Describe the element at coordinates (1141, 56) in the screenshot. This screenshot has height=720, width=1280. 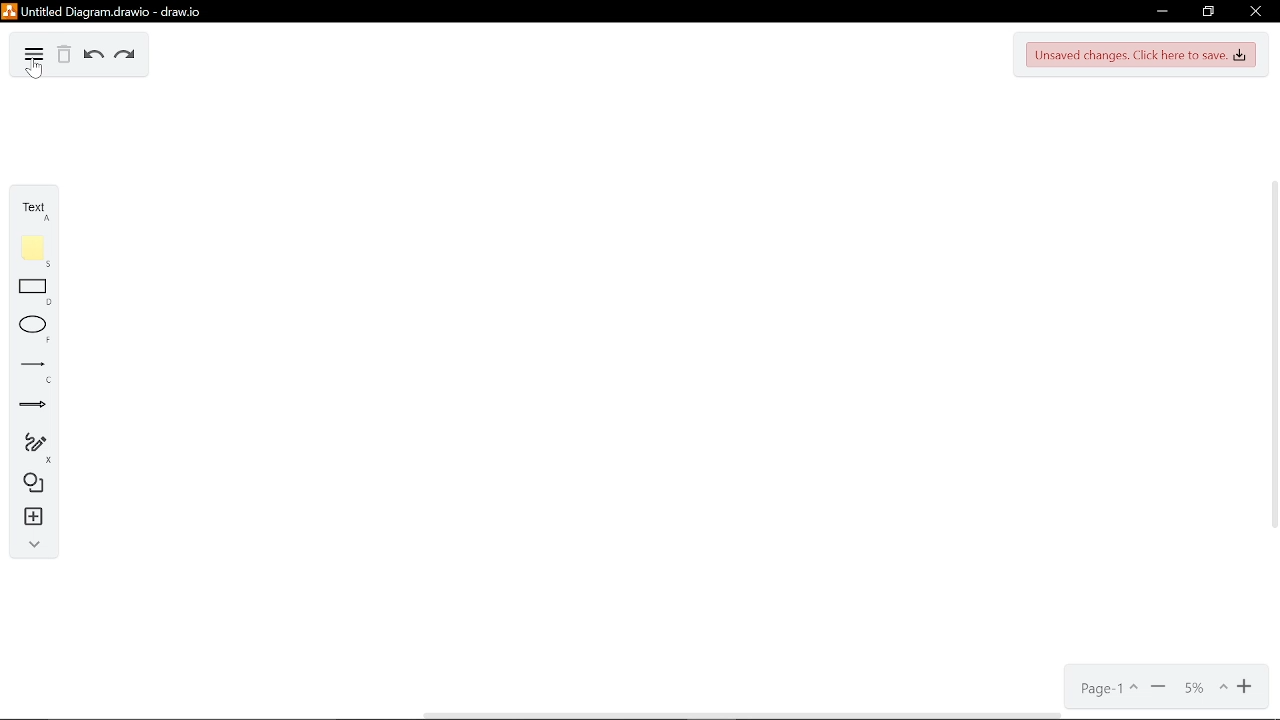
I see `UNsaved changes. Click here to save` at that location.